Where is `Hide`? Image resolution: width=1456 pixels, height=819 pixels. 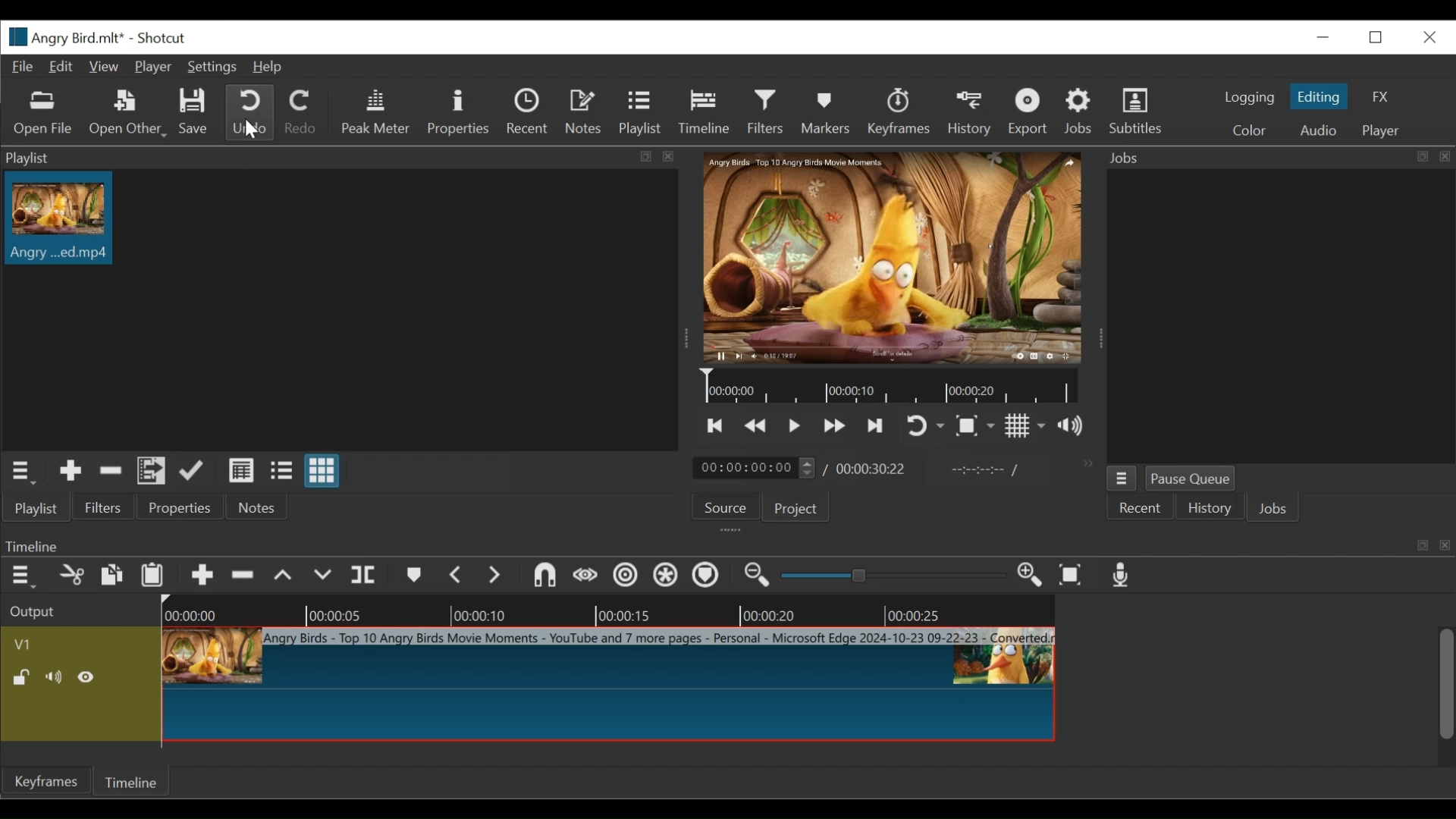
Hide is located at coordinates (86, 674).